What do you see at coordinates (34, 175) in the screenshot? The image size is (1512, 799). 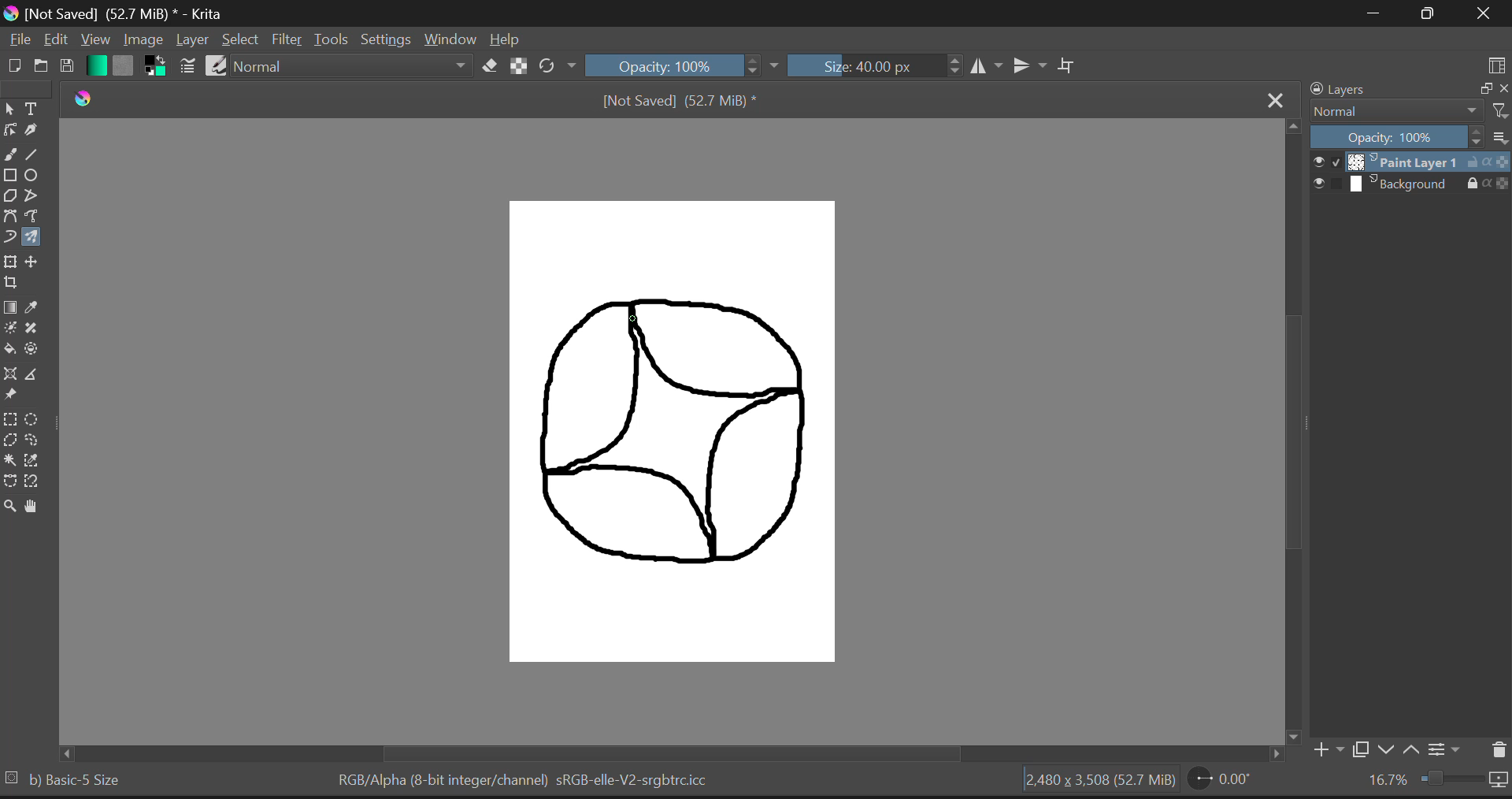 I see `Ellipses` at bounding box center [34, 175].